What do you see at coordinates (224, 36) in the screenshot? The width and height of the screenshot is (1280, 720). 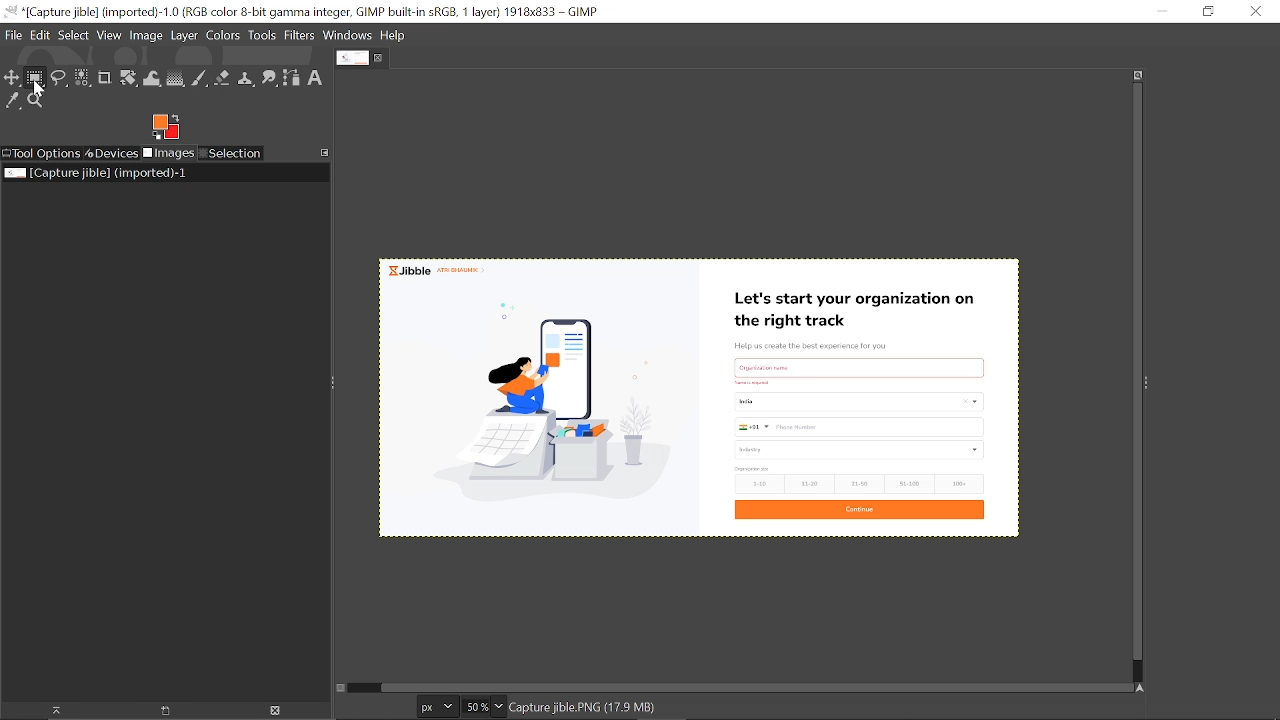 I see `Colors` at bounding box center [224, 36].